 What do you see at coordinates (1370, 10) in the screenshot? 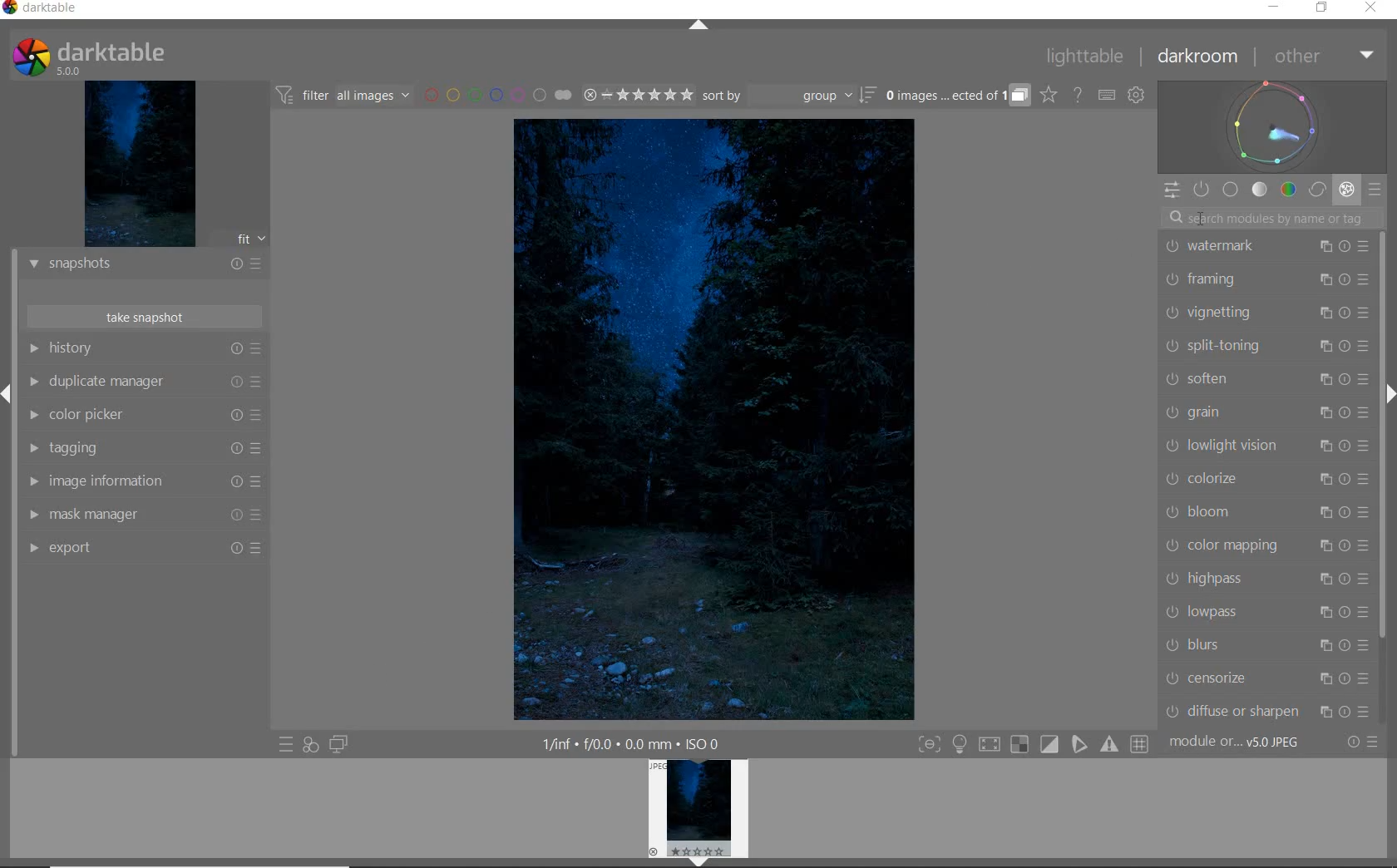
I see `CLOSE` at bounding box center [1370, 10].